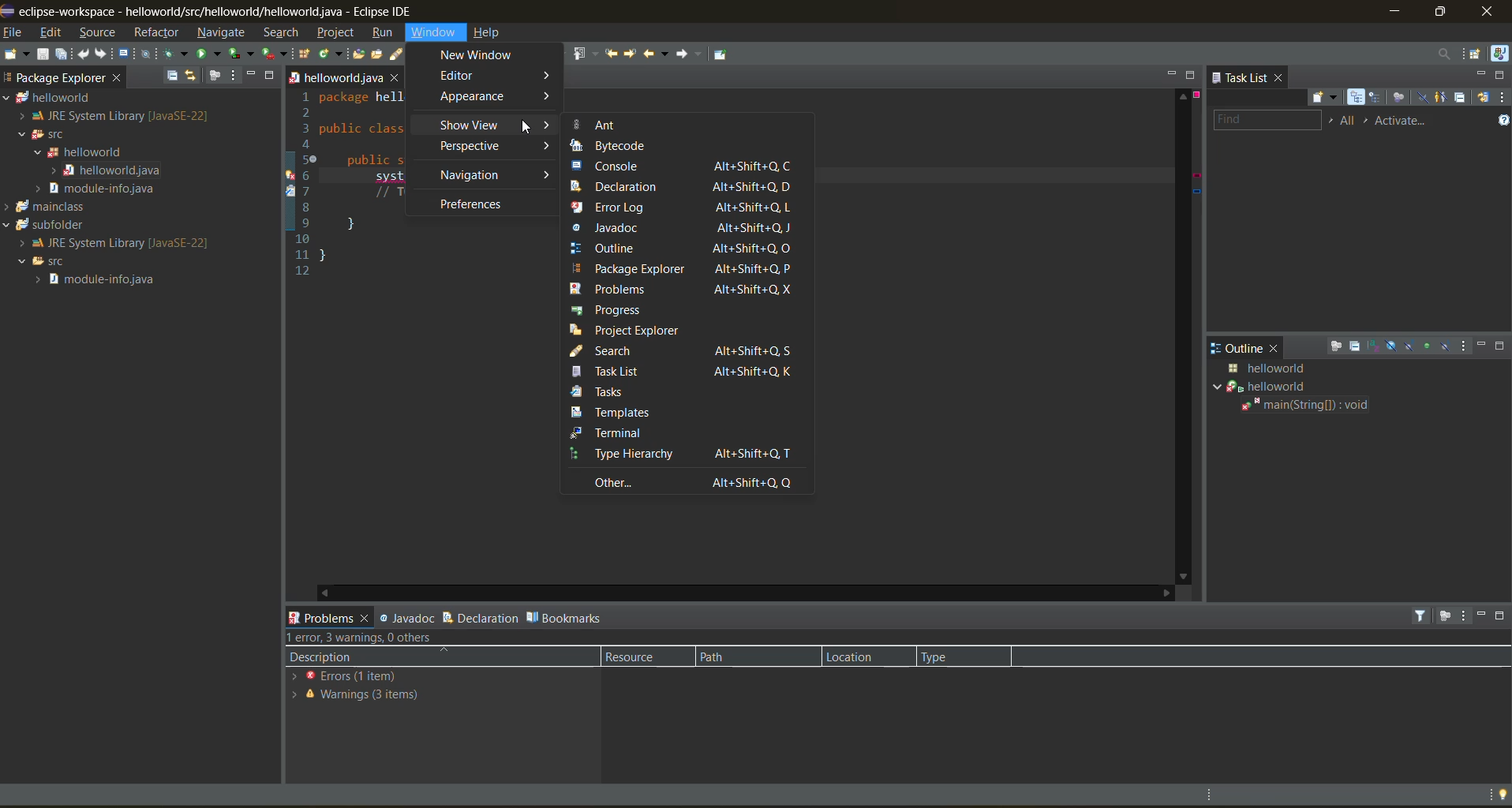 The width and height of the screenshot is (1512, 808). I want to click on access commands and other items, so click(1449, 54).